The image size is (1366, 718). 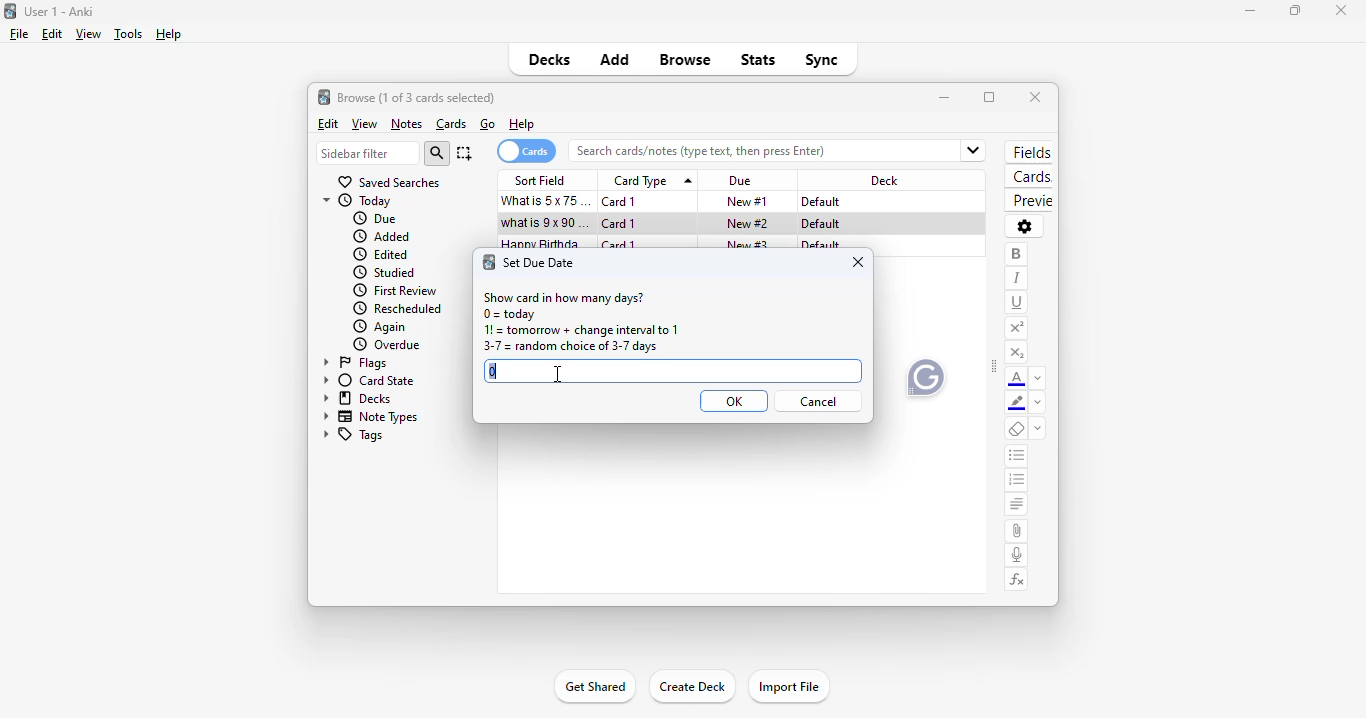 What do you see at coordinates (925, 376) in the screenshot?
I see `Grammarly` at bounding box center [925, 376].